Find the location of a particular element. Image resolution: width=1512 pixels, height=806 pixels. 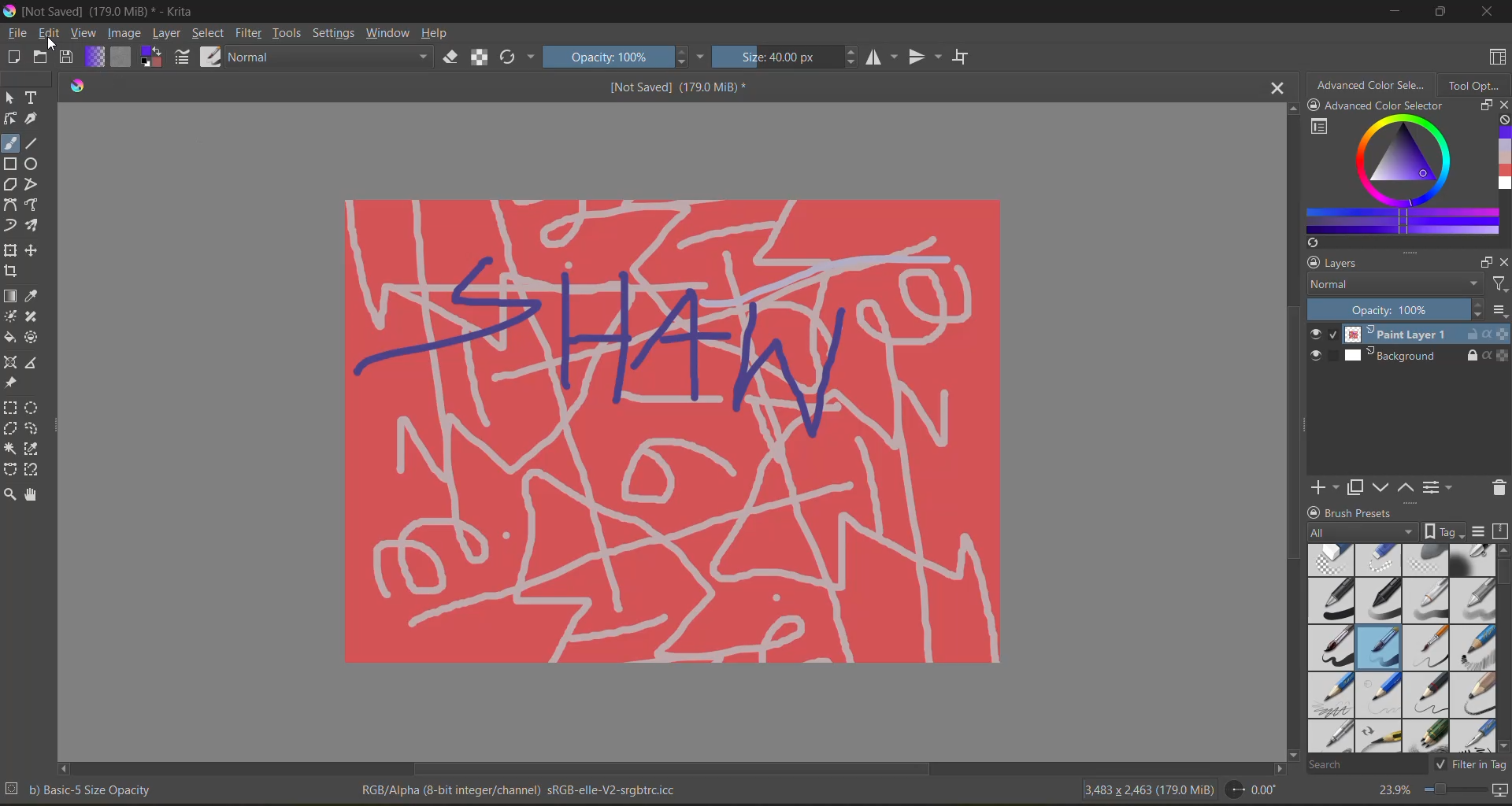

edit is located at coordinates (50, 33).